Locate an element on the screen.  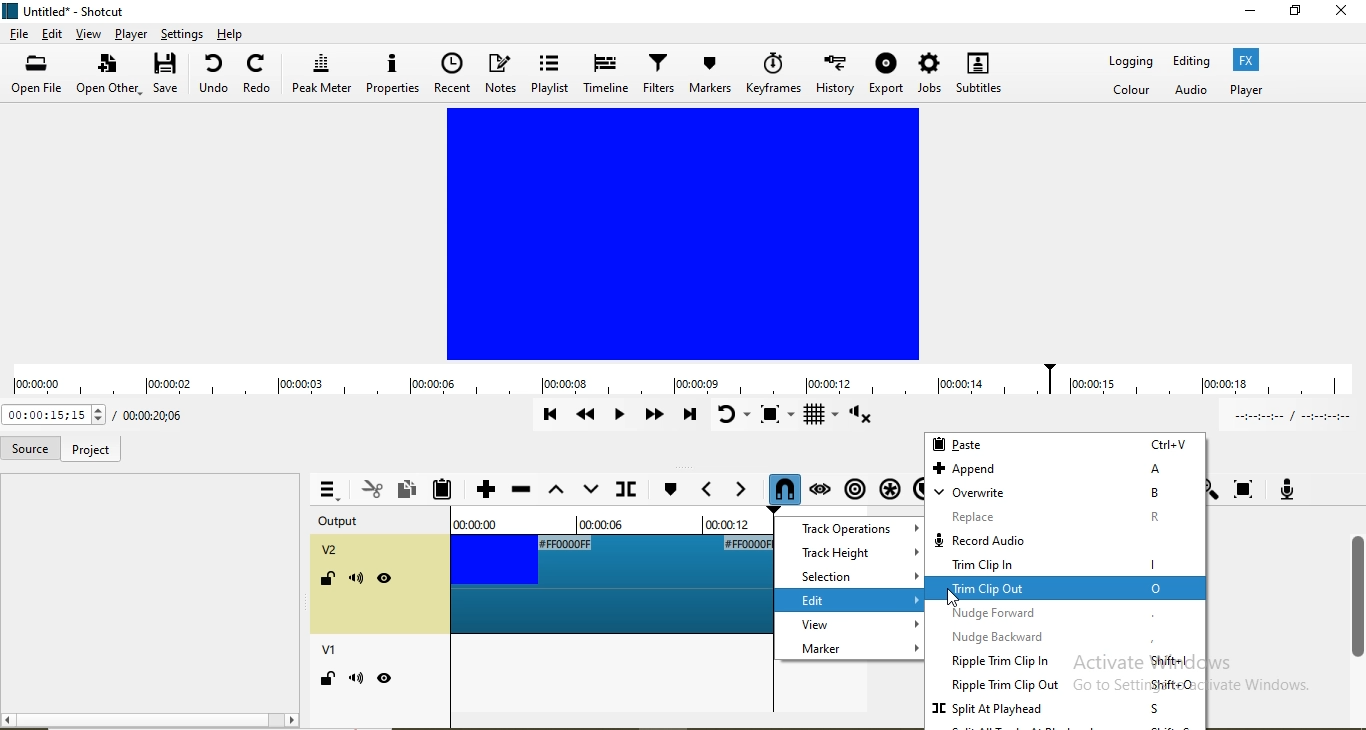
replace is located at coordinates (1066, 518).